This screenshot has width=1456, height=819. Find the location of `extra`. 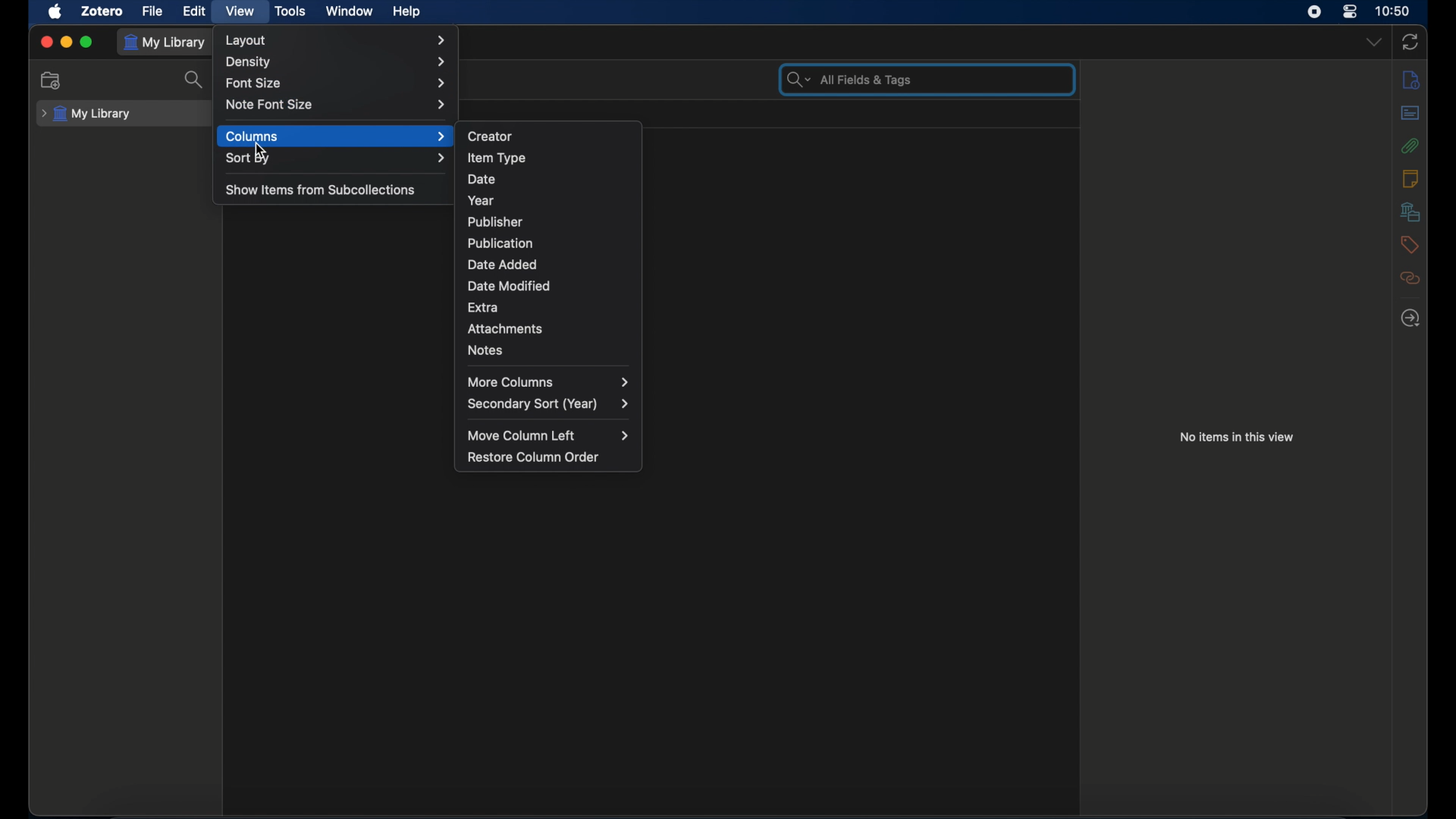

extra is located at coordinates (484, 307).